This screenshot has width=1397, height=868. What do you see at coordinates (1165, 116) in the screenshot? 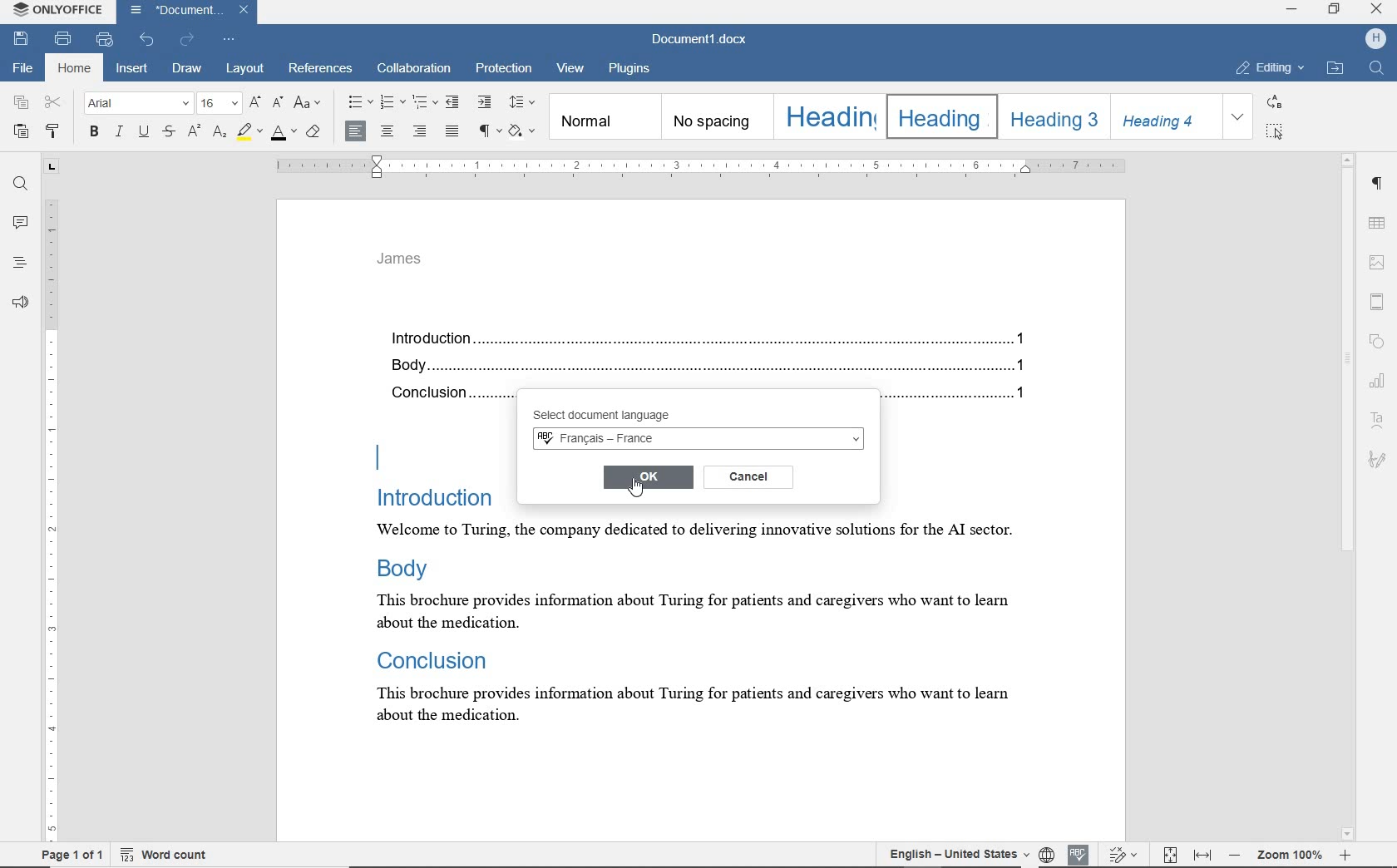
I see `Heading 4` at bounding box center [1165, 116].